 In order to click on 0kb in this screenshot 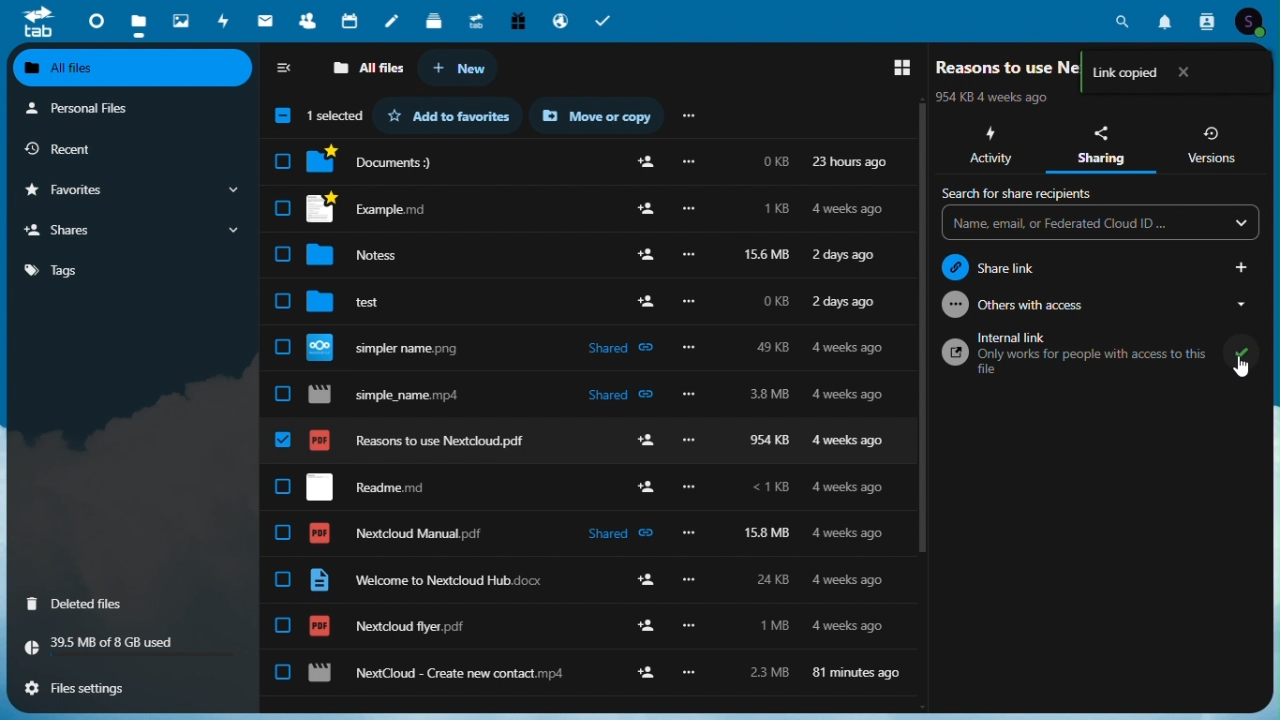, I will do `click(776, 300)`.